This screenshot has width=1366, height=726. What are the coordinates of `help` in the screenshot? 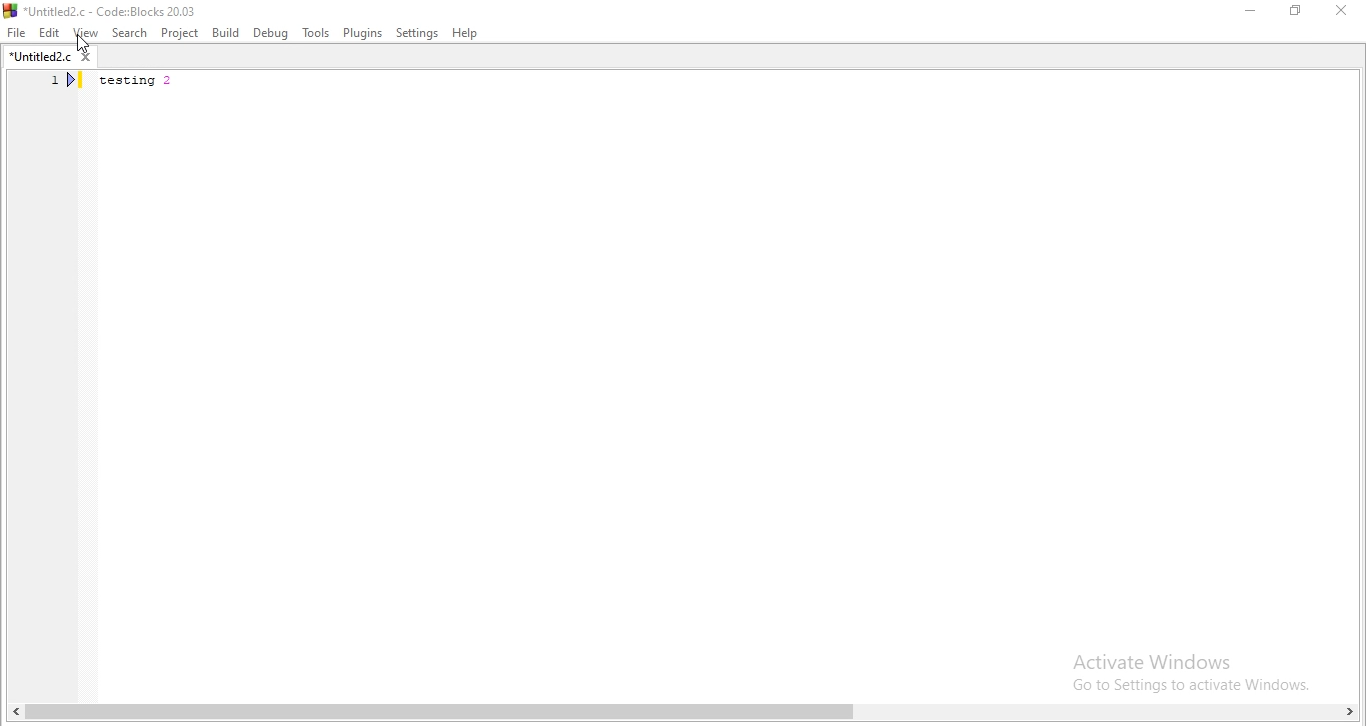 It's located at (464, 33).